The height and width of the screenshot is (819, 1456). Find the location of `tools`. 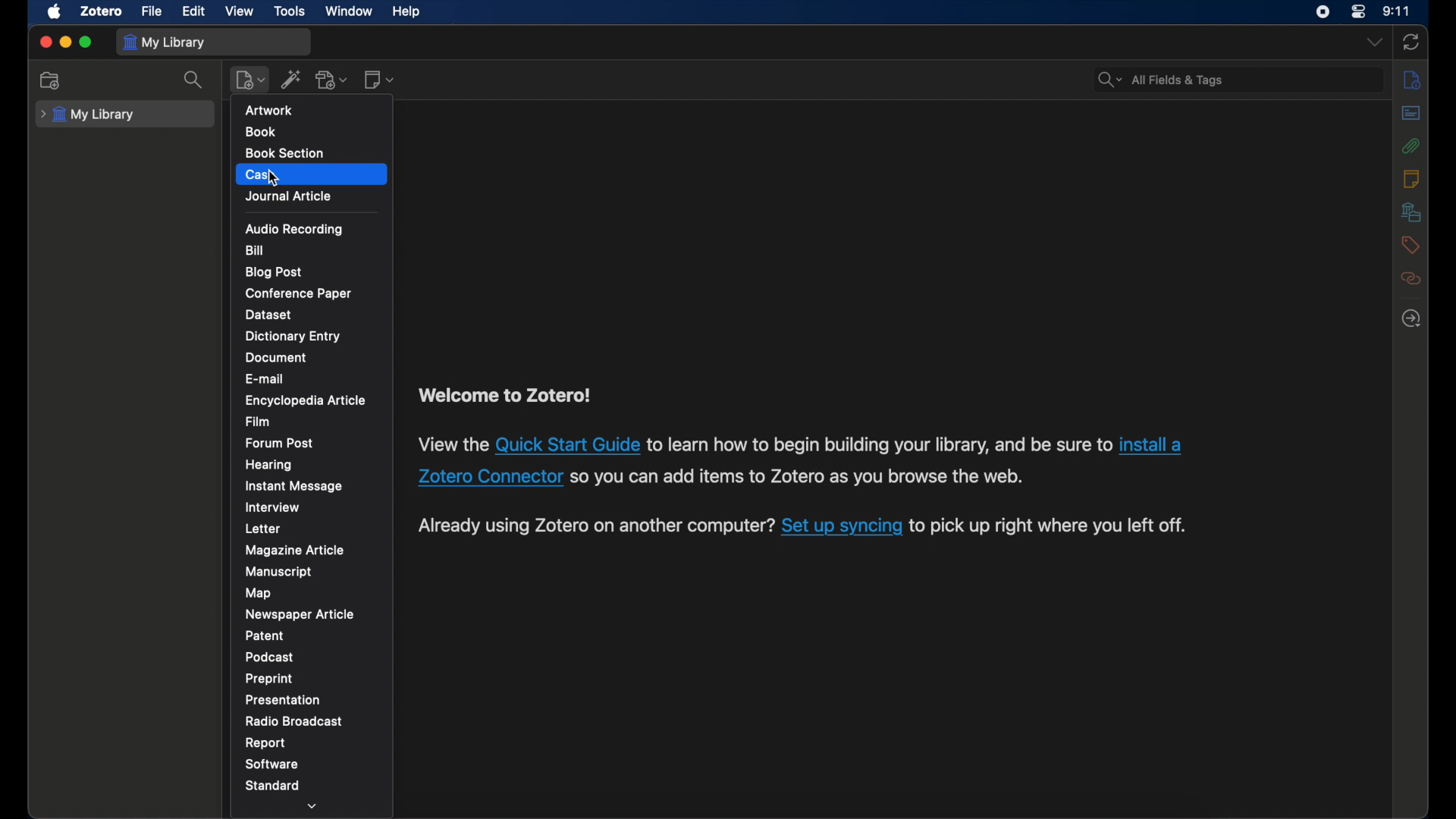

tools is located at coordinates (290, 11).